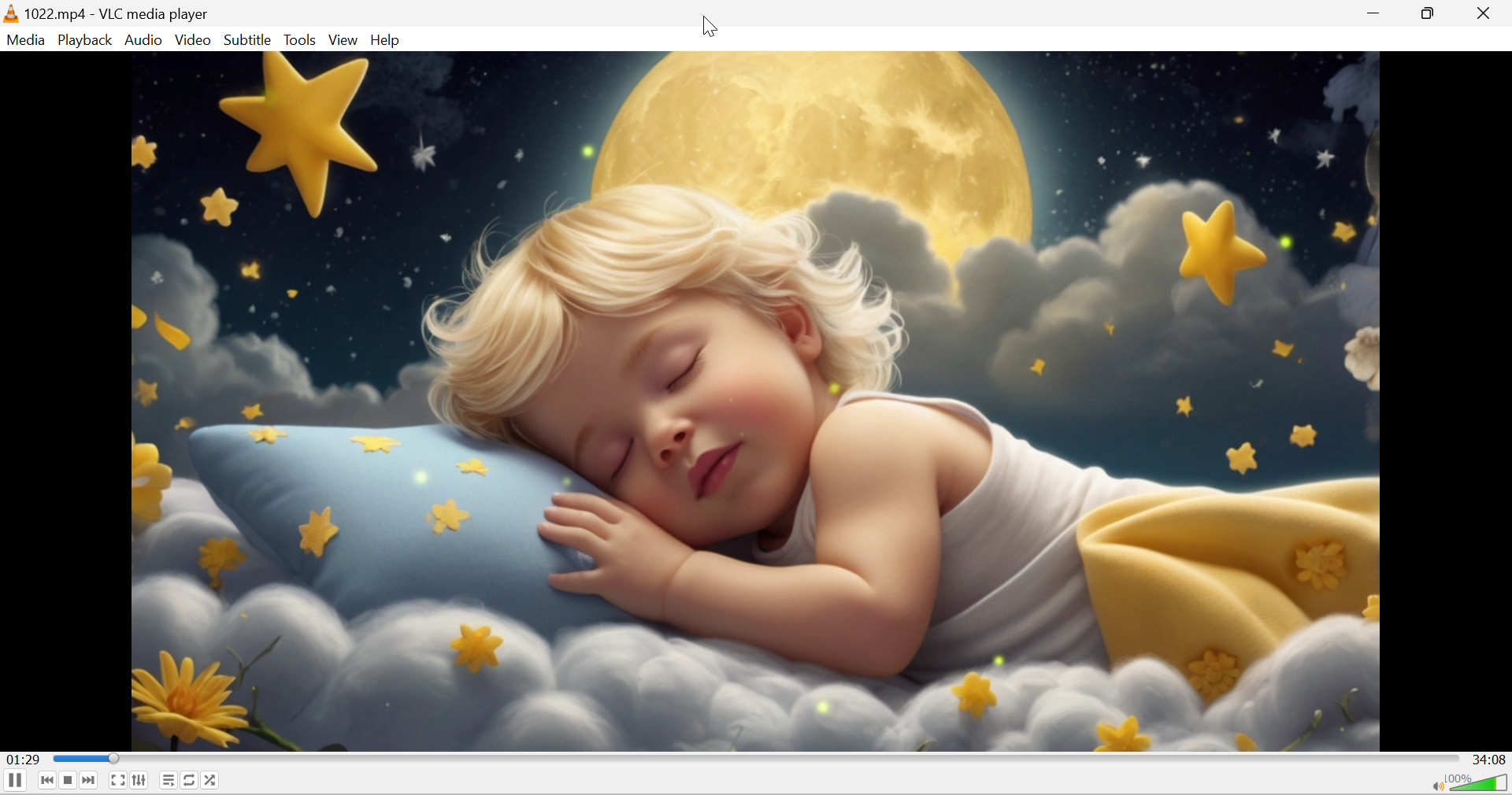 Image resolution: width=1512 pixels, height=795 pixels. Describe the element at coordinates (196, 40) in the screenshot. I see `Video` at that location.